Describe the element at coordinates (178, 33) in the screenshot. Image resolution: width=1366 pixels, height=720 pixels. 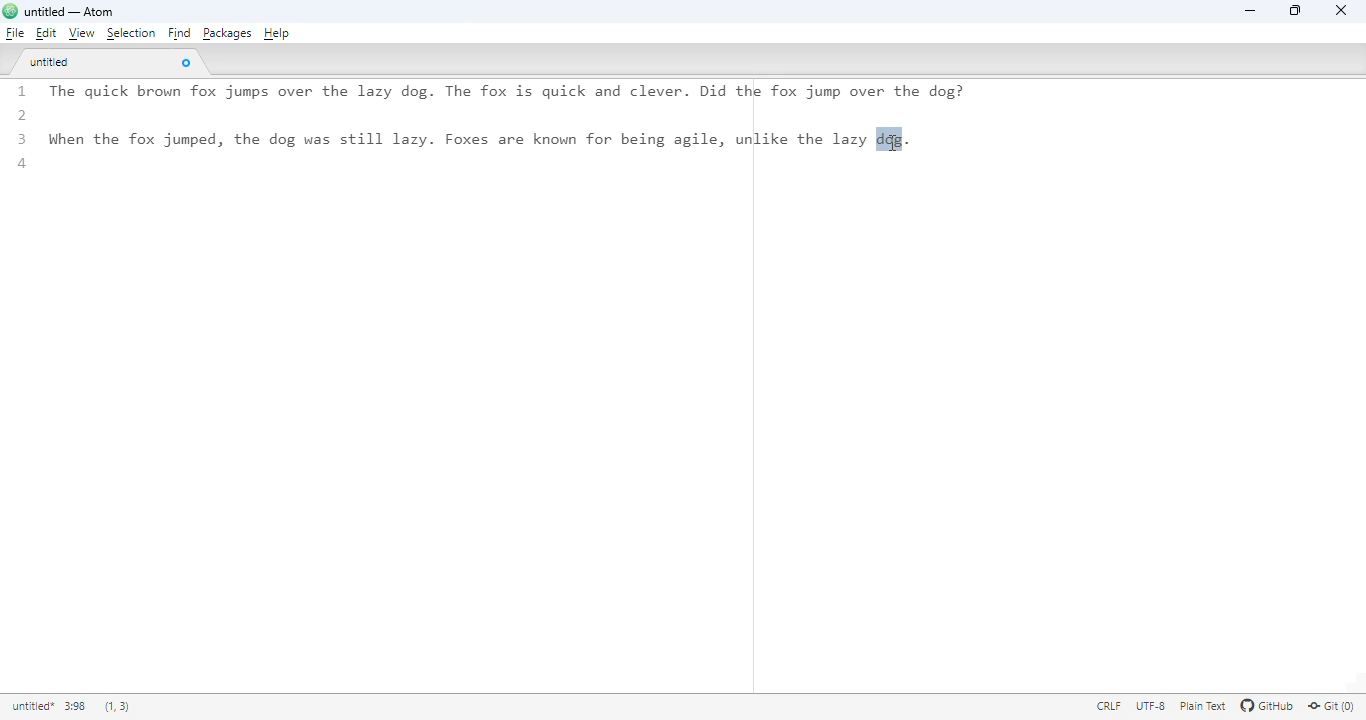
I see `find` at that location.